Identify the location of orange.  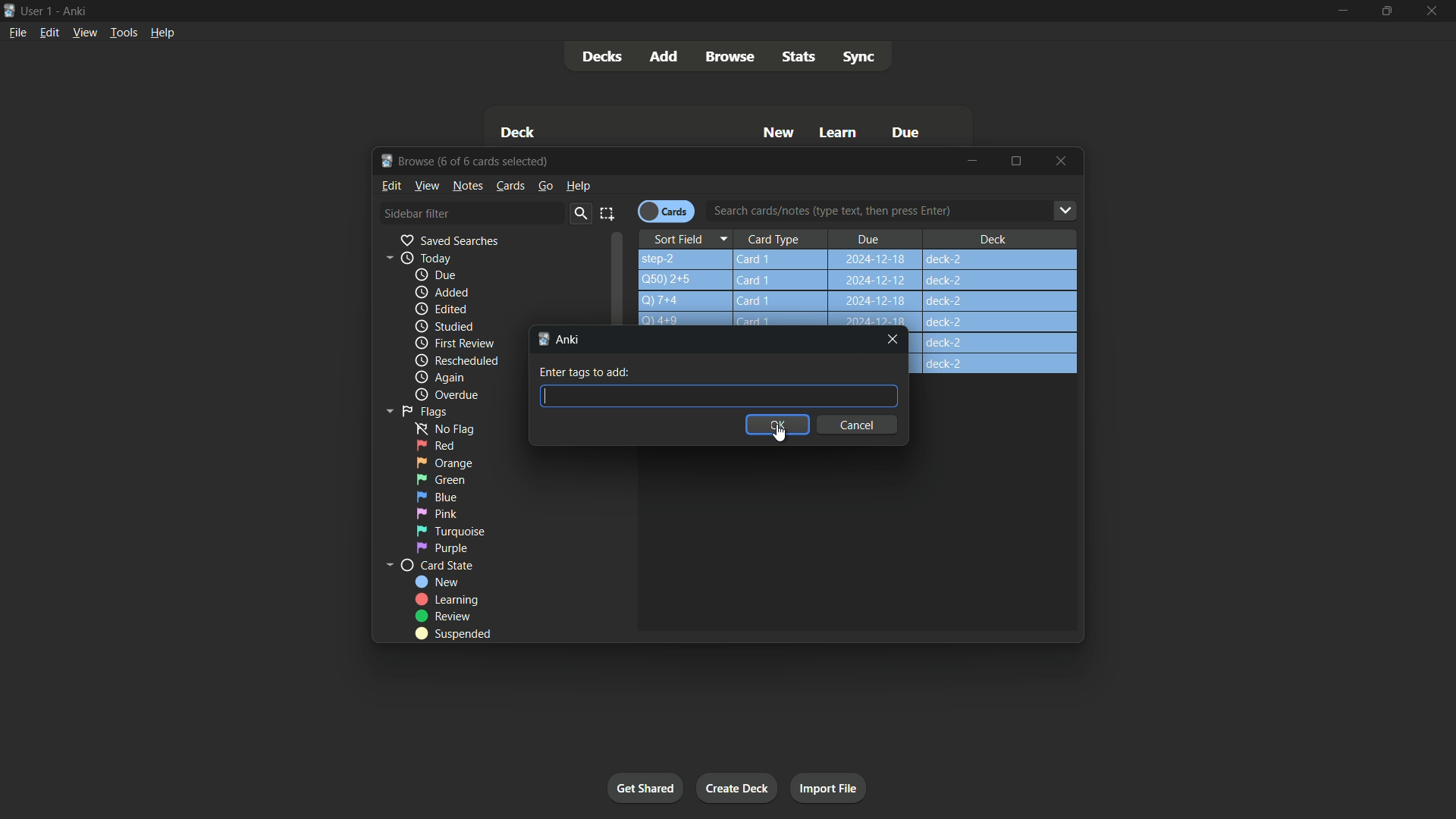
(445, 462).